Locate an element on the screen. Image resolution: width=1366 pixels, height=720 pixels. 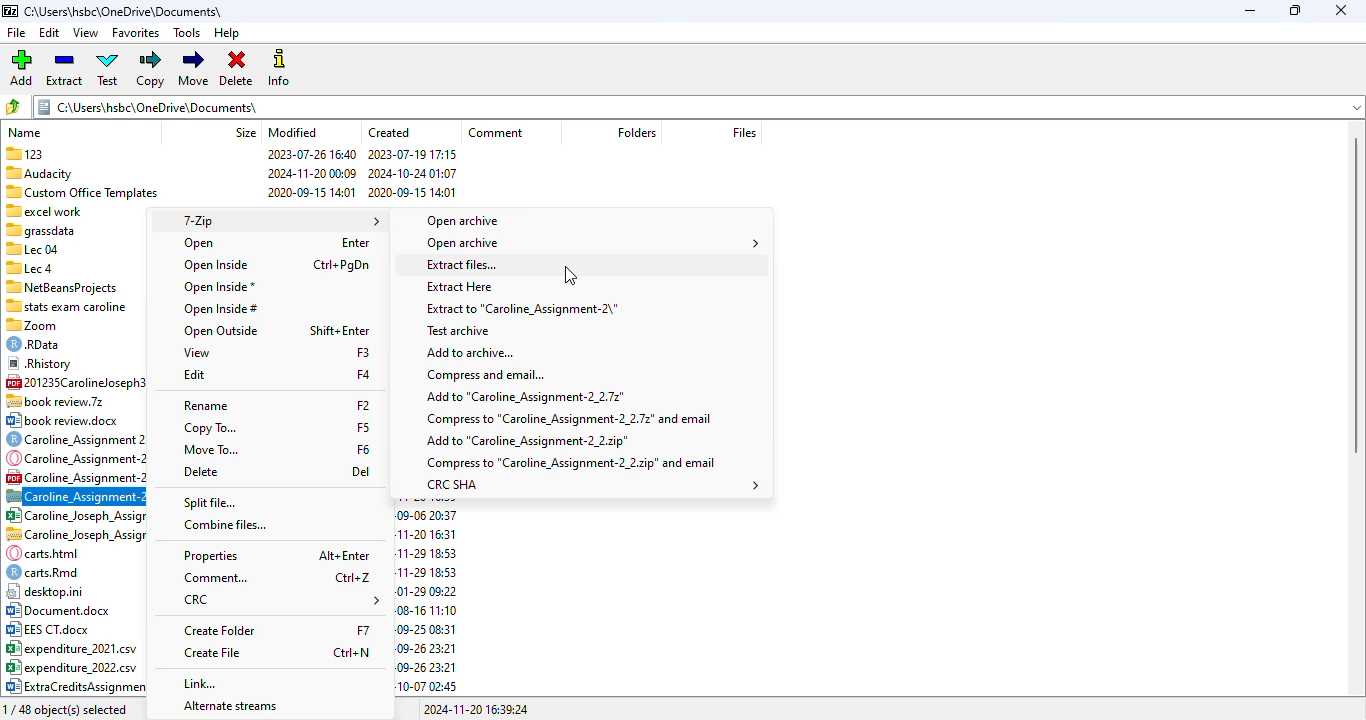
minimize is located at coordinates (1251, 11).